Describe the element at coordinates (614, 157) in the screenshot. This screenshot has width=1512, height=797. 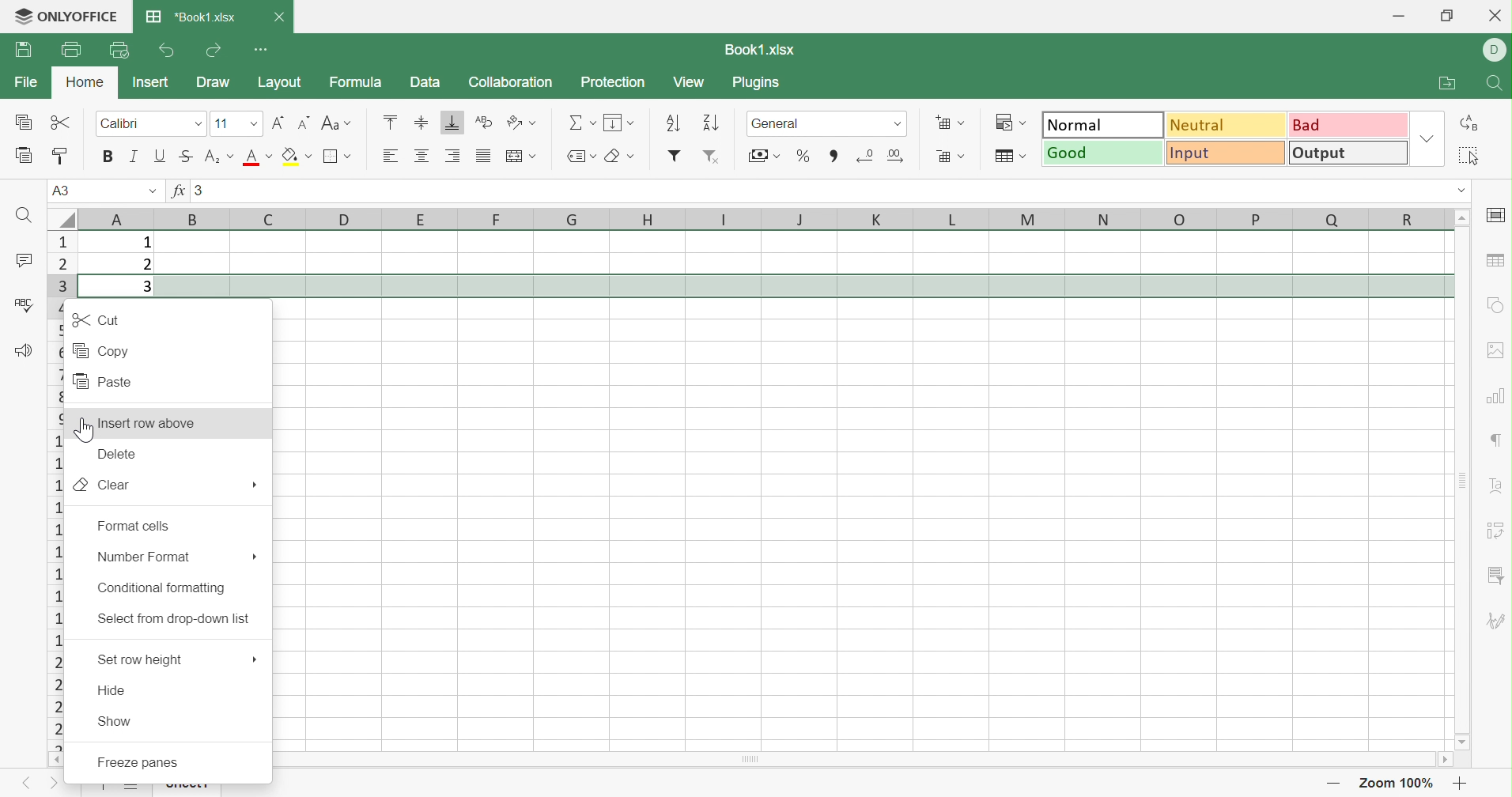
I see `Clear` at that location.